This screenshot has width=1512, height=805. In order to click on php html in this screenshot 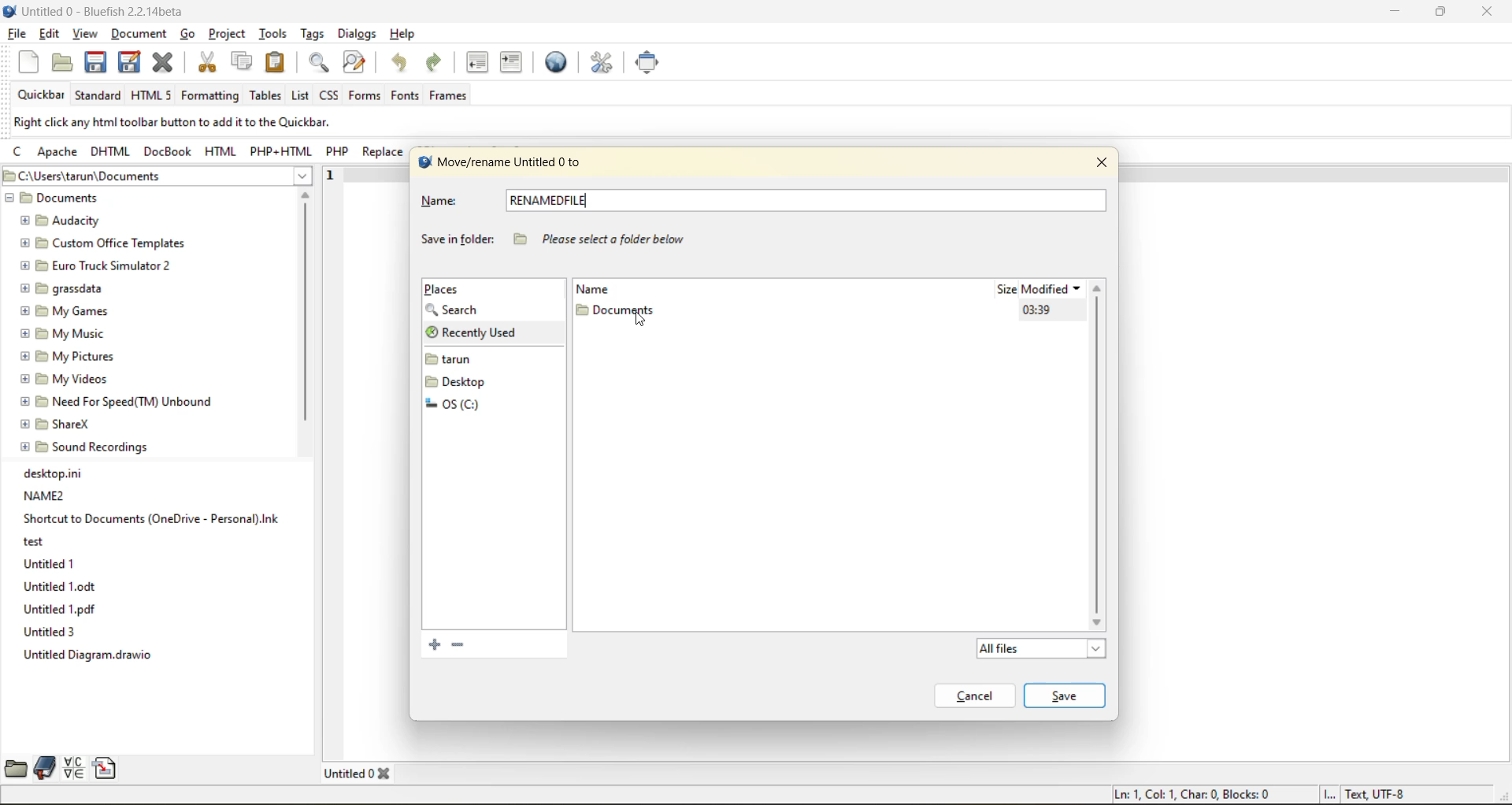, I will do `click(284, 153)`.